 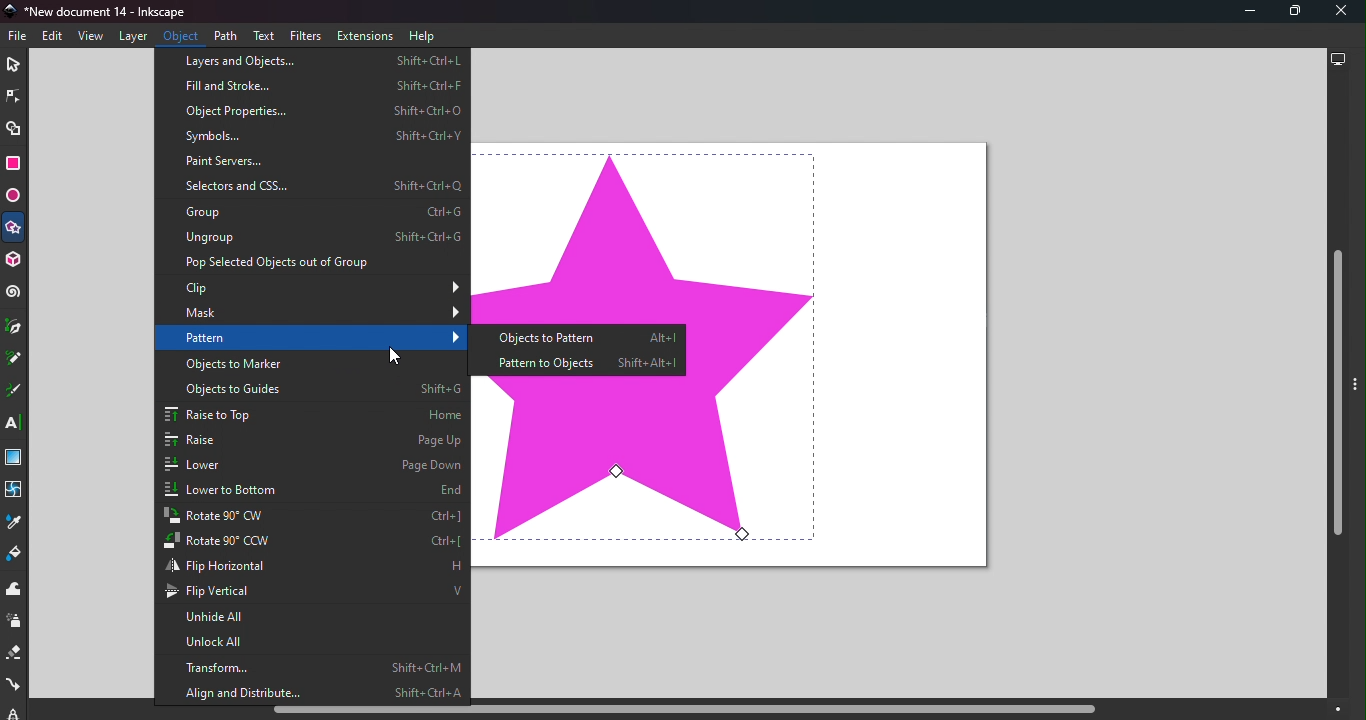 What do you see at coordinates (315, 465) in the screenshot?
I see `lower` at bounding box center [315, 465].